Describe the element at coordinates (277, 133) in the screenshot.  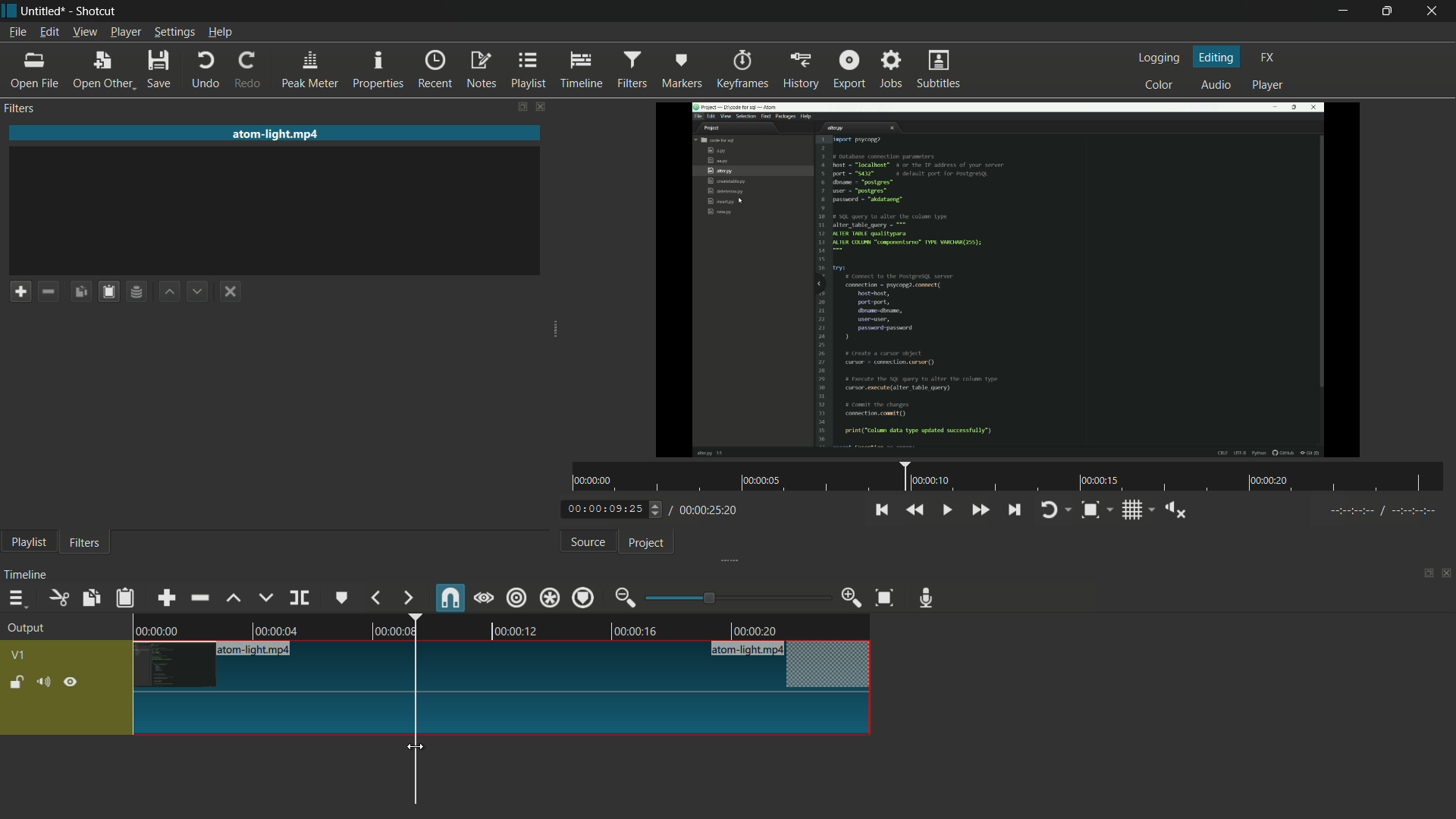
I see `imported file name` at that location.